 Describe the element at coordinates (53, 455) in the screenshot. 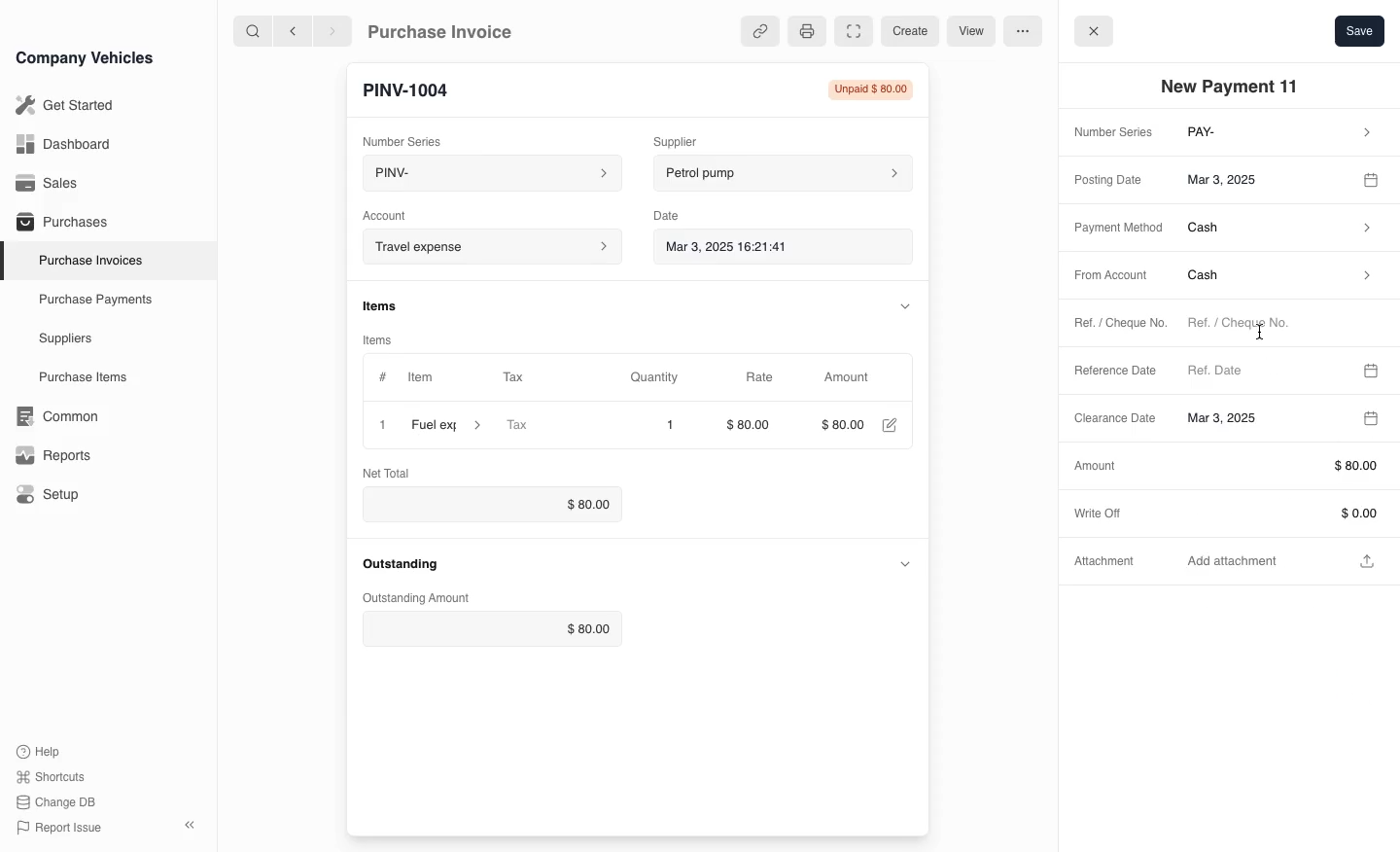

I see `Reports` at that location.